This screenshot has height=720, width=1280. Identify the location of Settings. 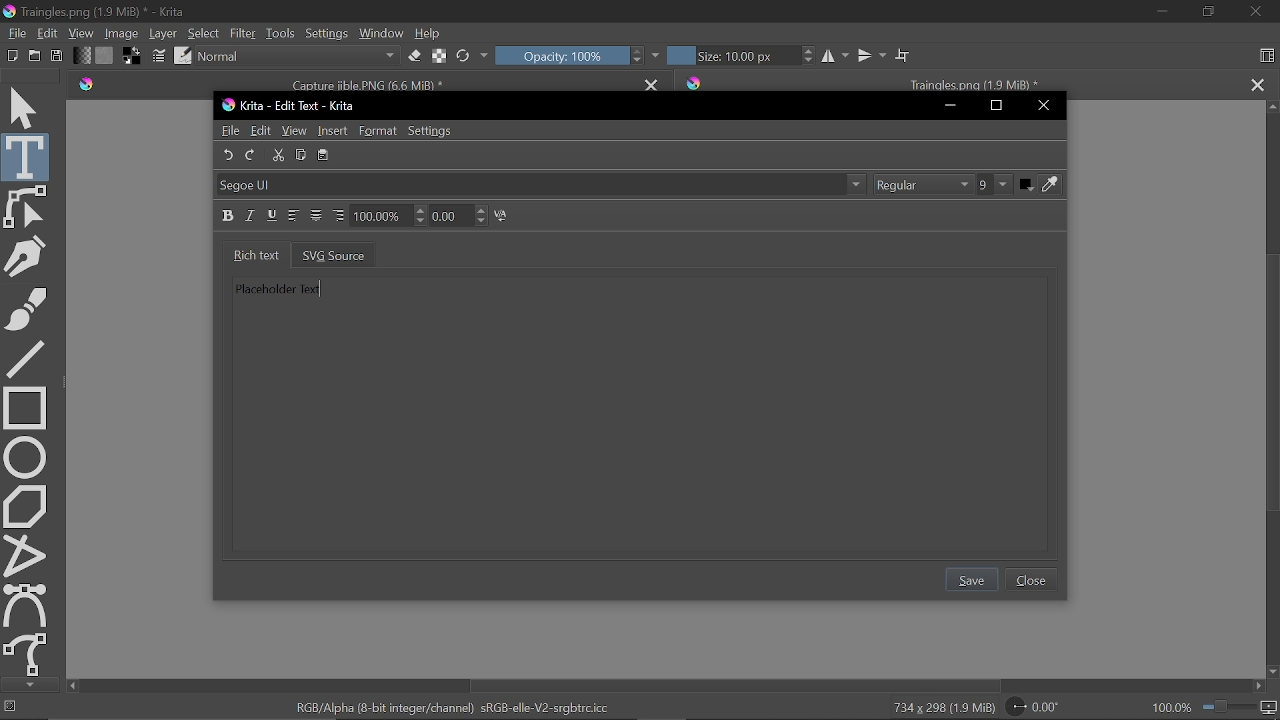
(435, 130).